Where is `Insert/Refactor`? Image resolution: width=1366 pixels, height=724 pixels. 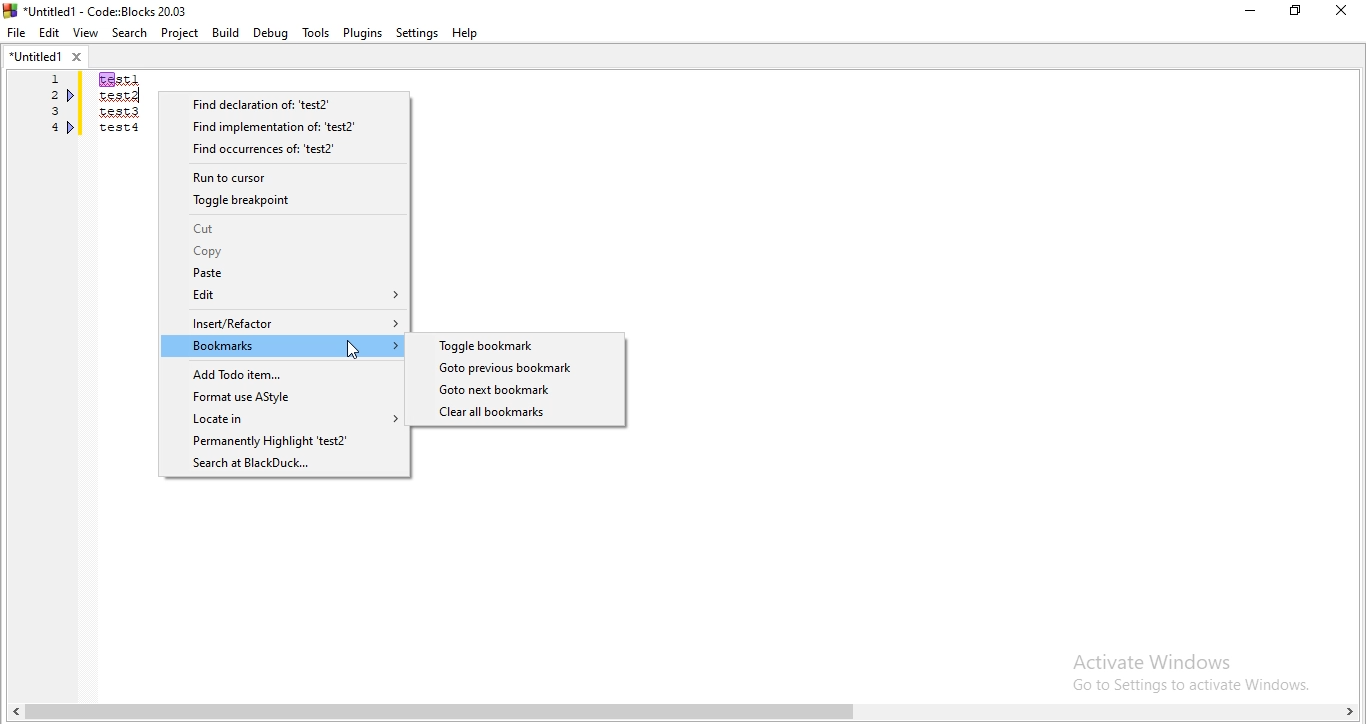 Insert/Refactor is located at coordinates (283, 322).